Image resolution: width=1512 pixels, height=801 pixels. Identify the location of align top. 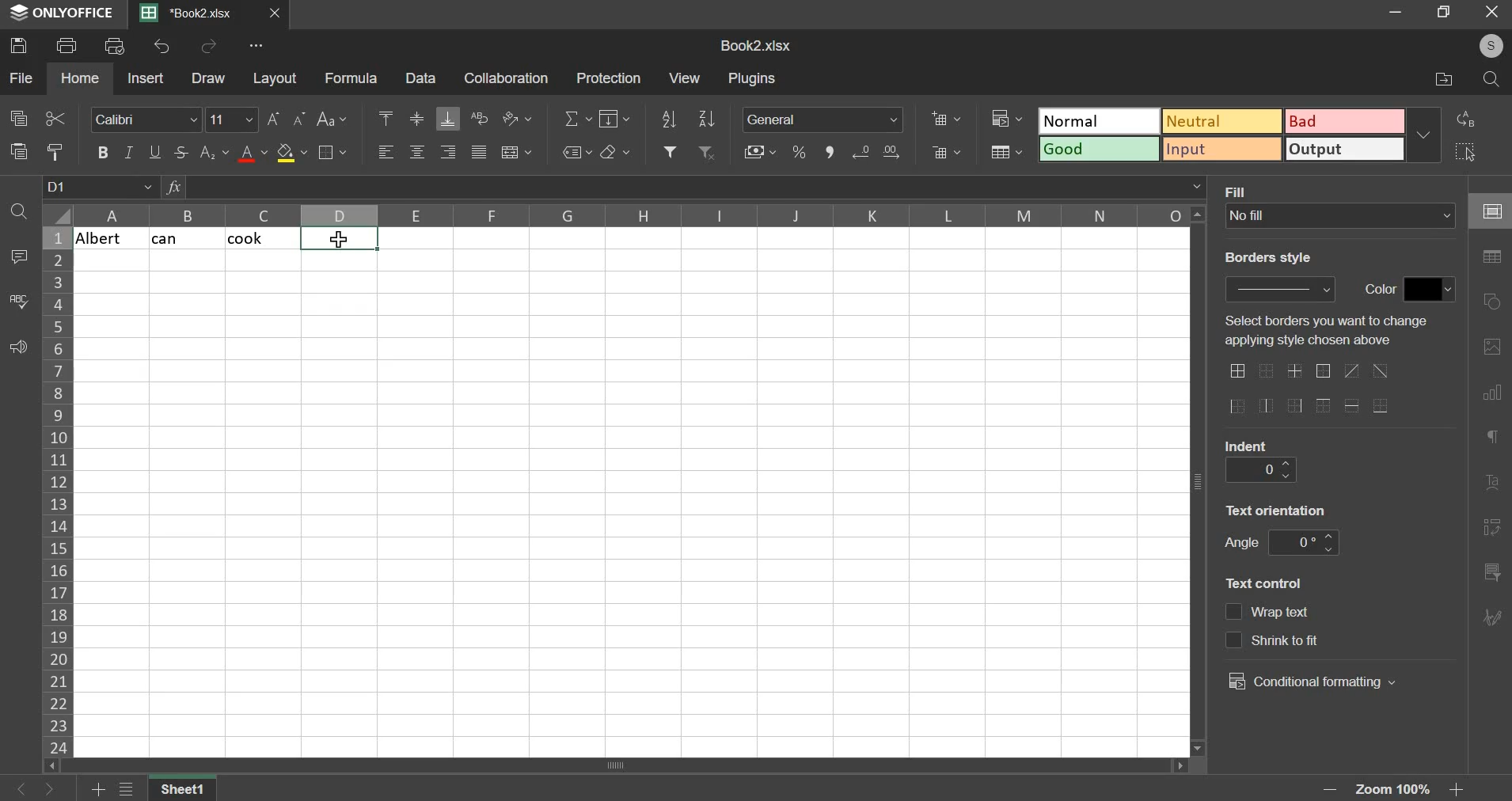
(388, 119).